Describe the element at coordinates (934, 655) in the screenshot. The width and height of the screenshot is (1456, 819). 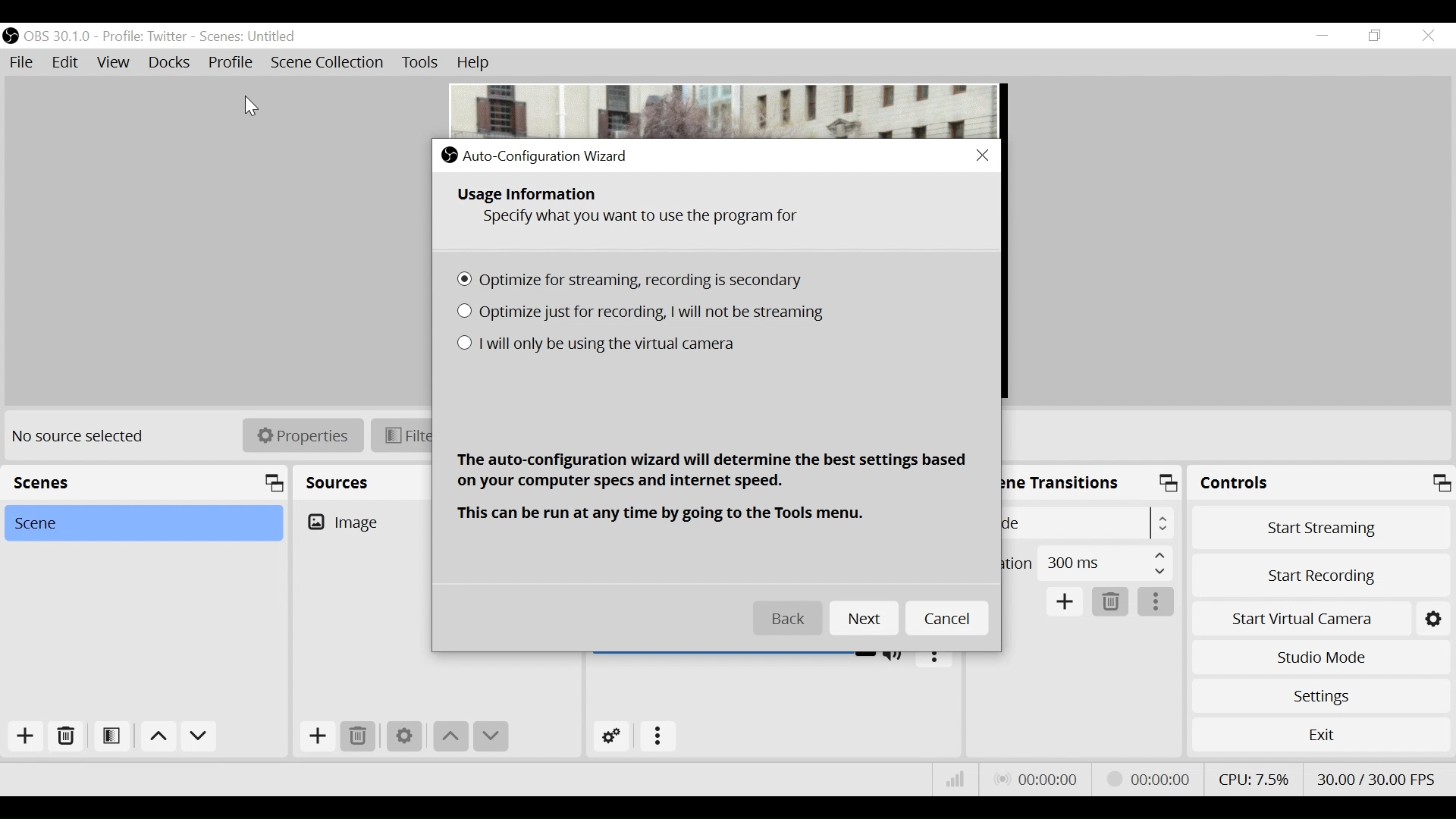
I see `more options` at that location.